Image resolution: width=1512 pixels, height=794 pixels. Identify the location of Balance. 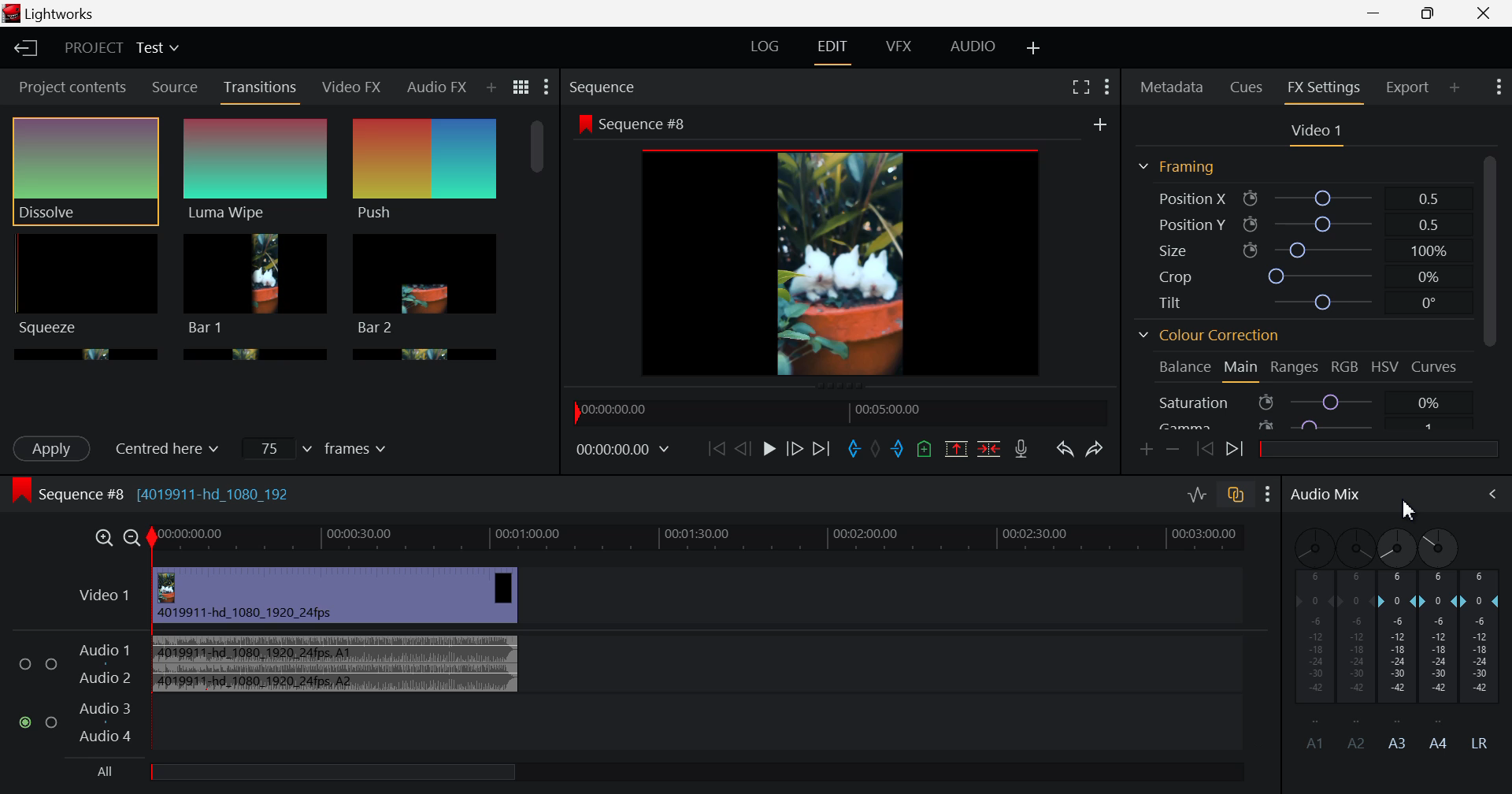
(1183, 368).